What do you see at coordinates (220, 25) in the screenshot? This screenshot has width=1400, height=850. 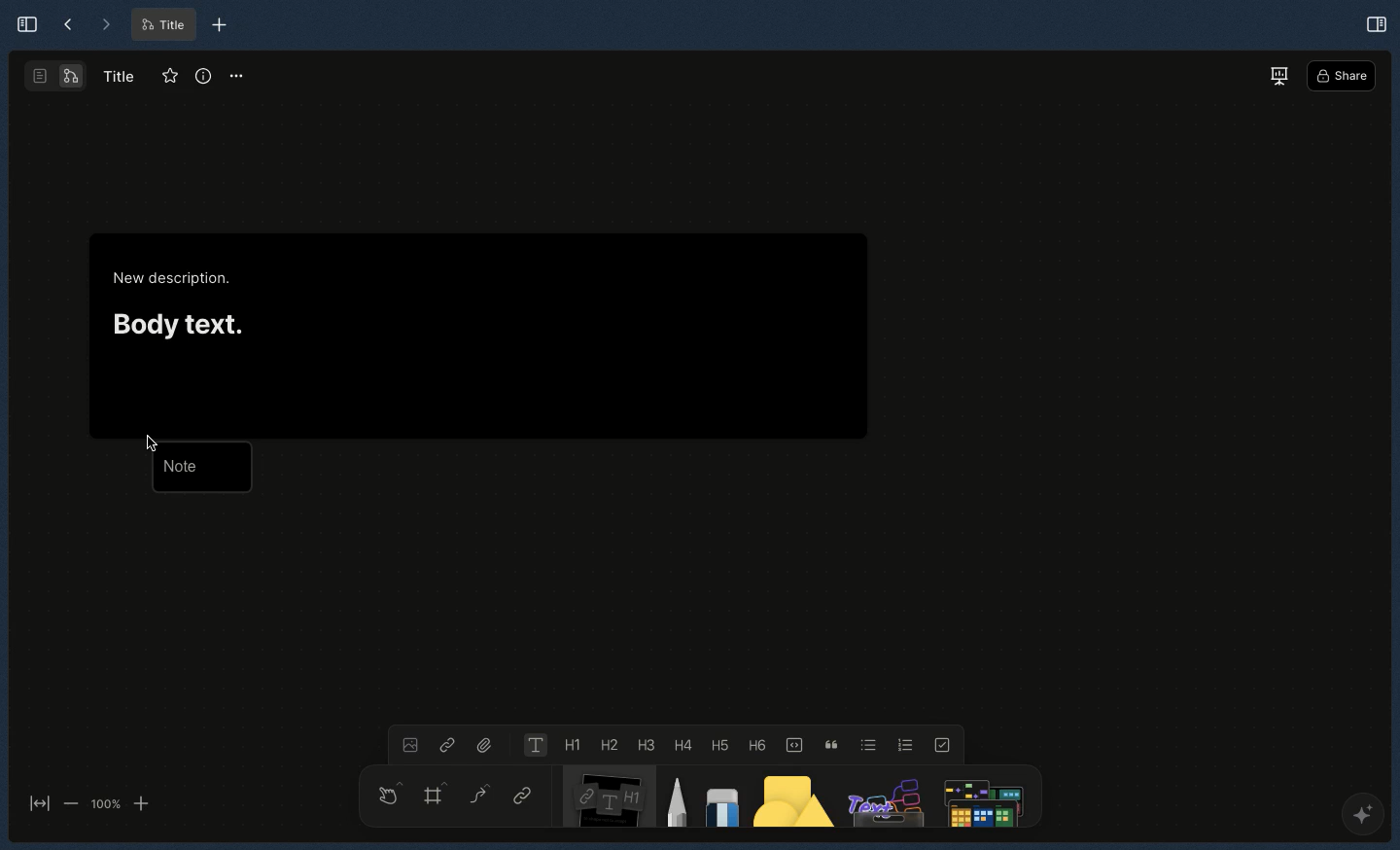 I see `New tab` at bounding box center [220, 25].